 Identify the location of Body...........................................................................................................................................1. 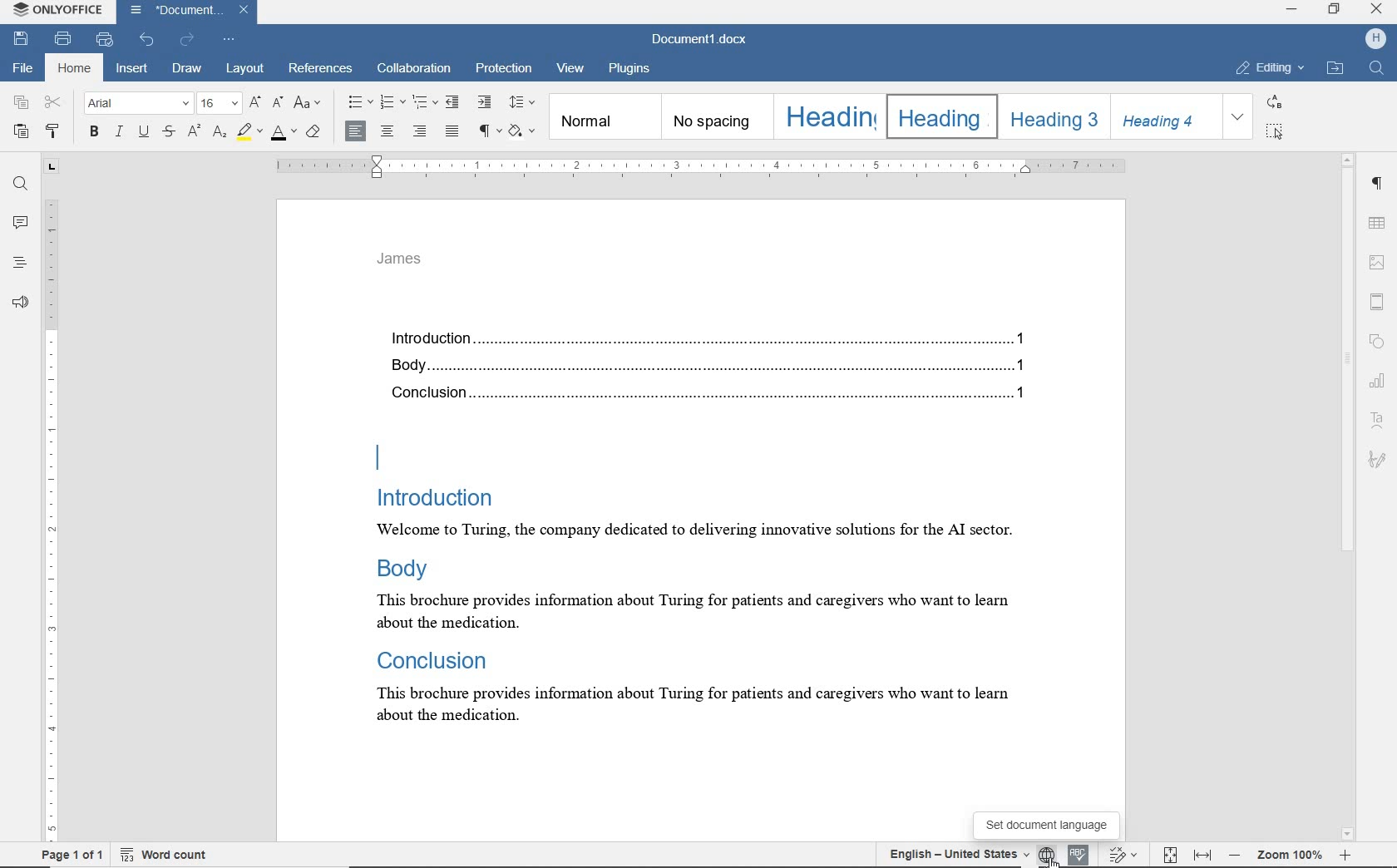
(714, 367).